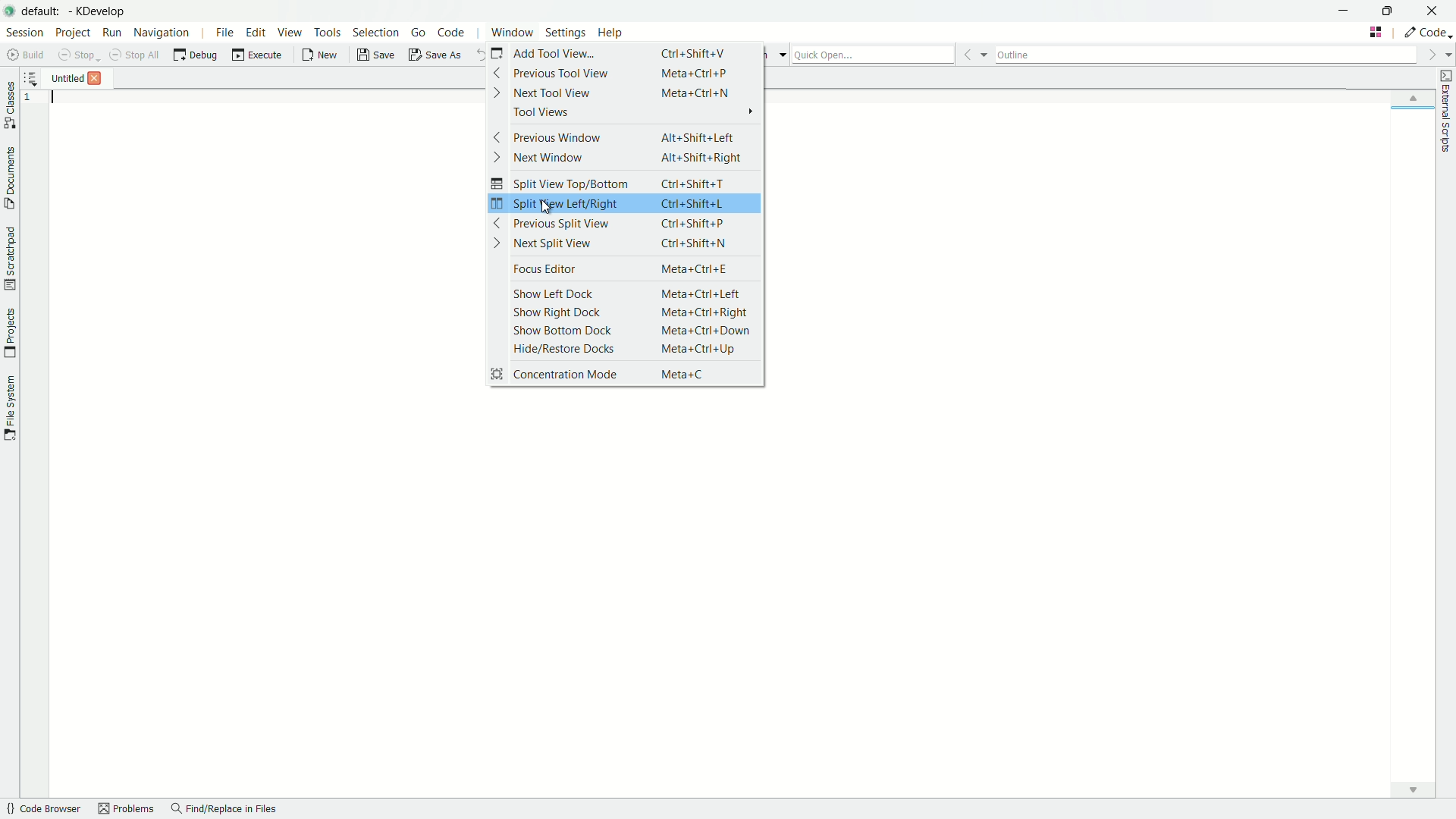 Image resolution: width=1456 pixels, height=819 pixels. What do you see at coordinates (1378, 32) in the screenshot?
I see `change tab layout` at bounding box center [1378, 32].